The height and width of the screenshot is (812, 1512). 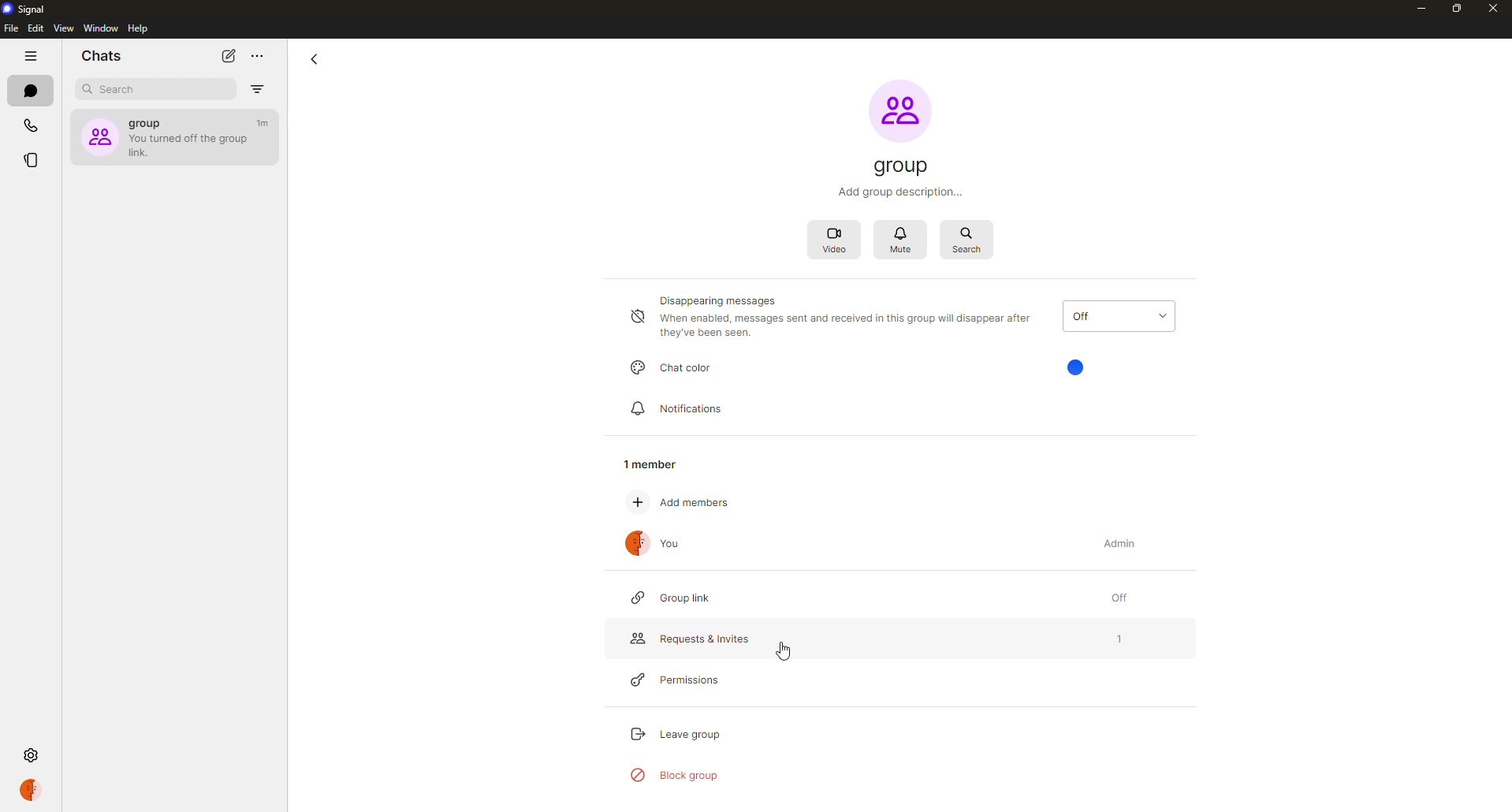 What do you see at coordinates (136, 29) in the screenshot?
I see `help` at bounding box center [136, 29].